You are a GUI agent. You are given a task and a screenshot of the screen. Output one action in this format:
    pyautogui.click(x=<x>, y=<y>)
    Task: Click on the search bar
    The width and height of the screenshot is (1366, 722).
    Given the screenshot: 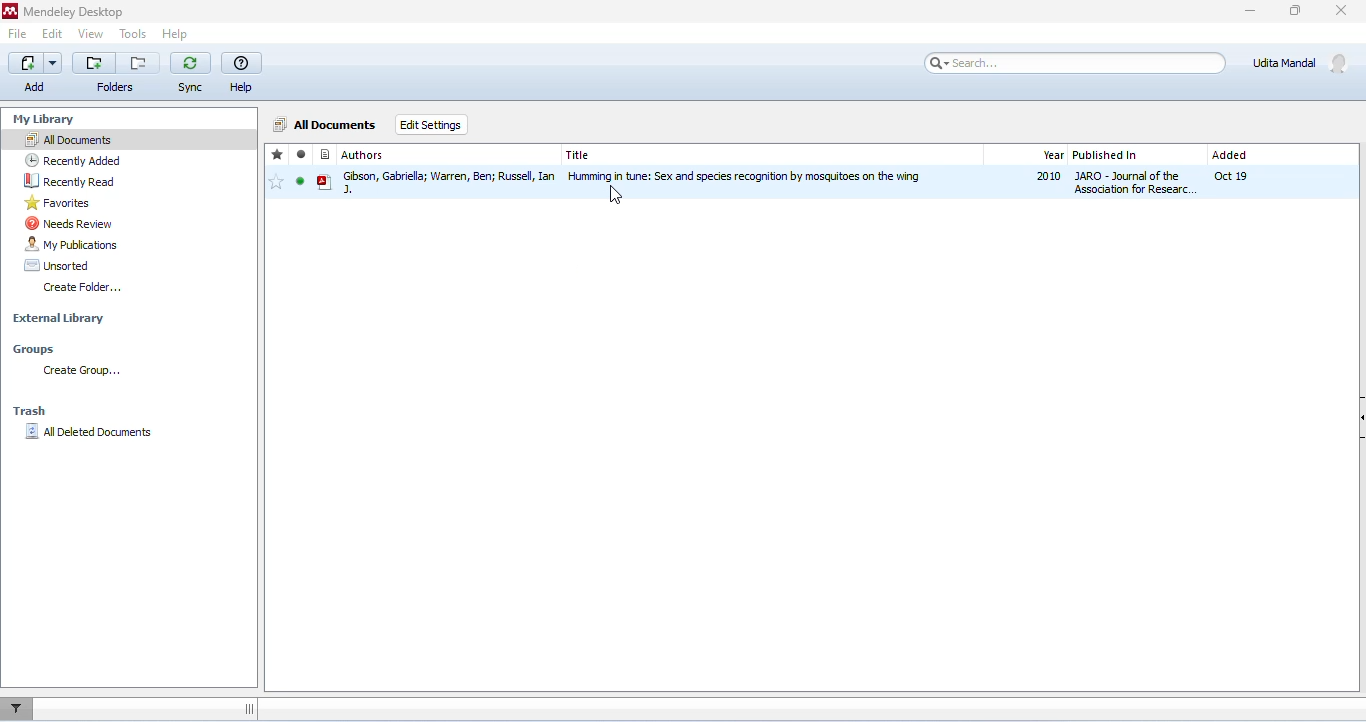 What is the action you would take?
    pyautogui.click(x=1072, y=62)
    